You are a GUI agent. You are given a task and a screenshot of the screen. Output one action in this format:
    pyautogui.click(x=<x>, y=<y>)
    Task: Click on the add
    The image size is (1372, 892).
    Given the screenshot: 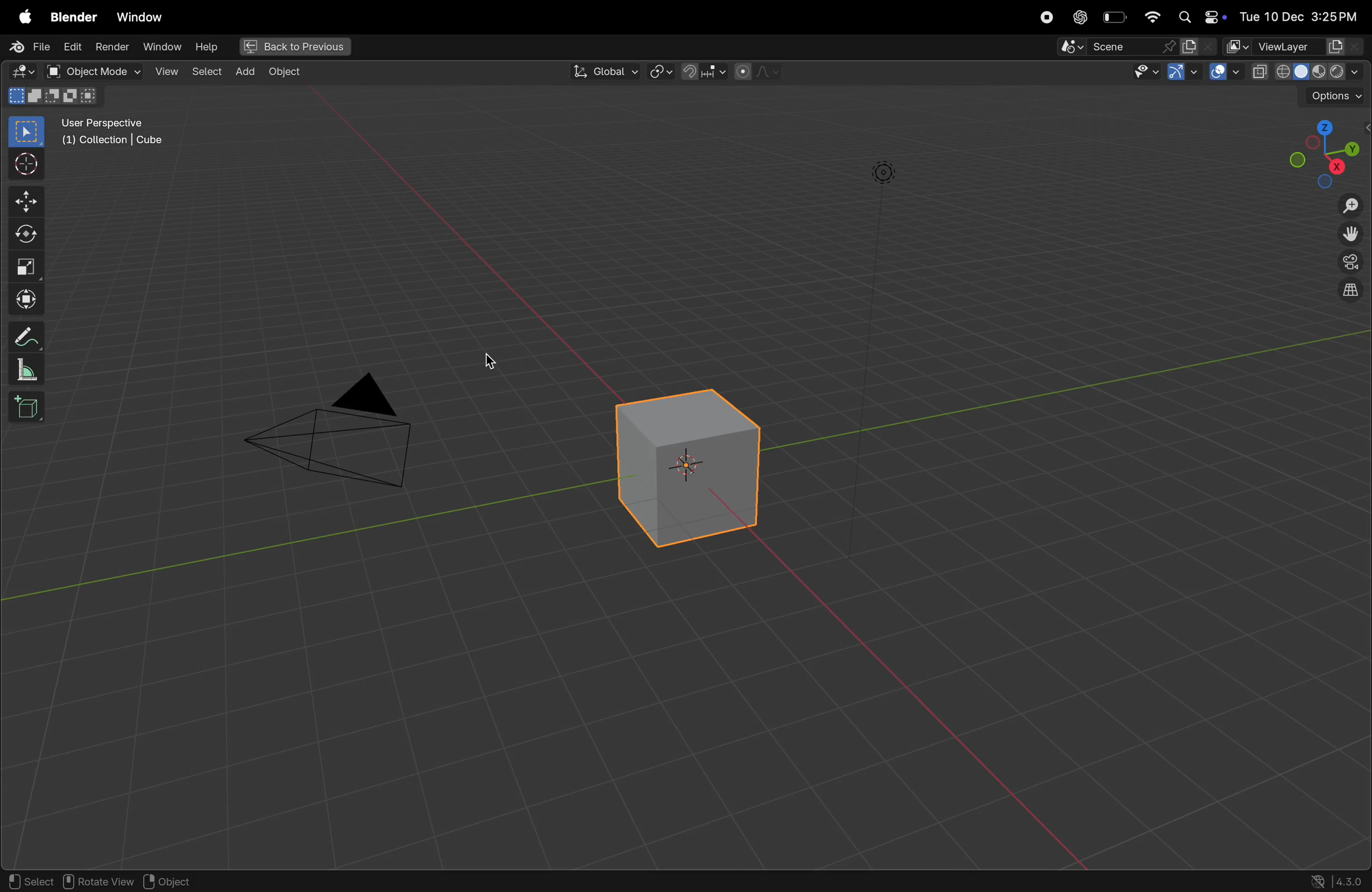 What is the action you would take?
    pyautogui.click(x=244, y=73)
    